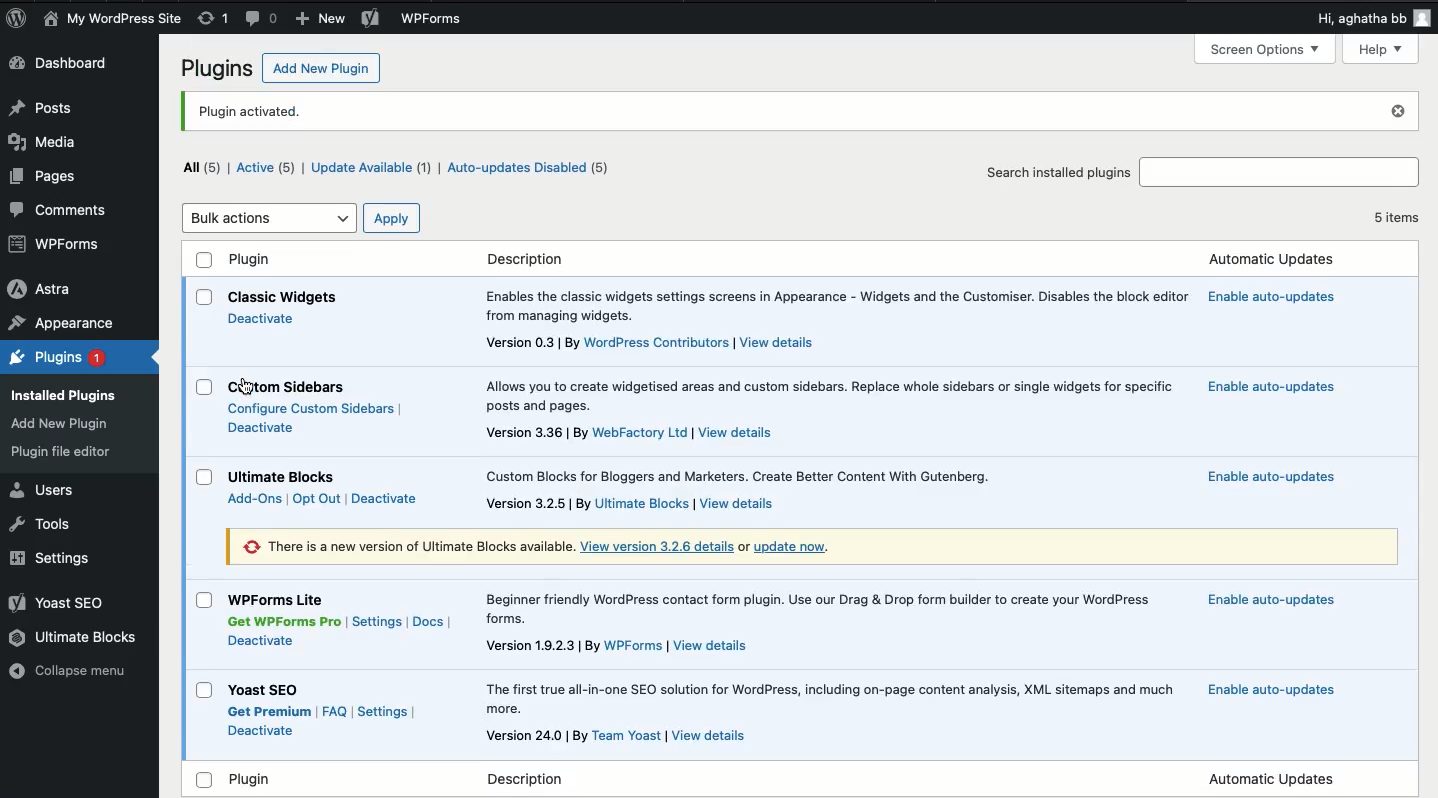 This screenshot has height=798, width=1438. I want to click on description, so click(823, 606).